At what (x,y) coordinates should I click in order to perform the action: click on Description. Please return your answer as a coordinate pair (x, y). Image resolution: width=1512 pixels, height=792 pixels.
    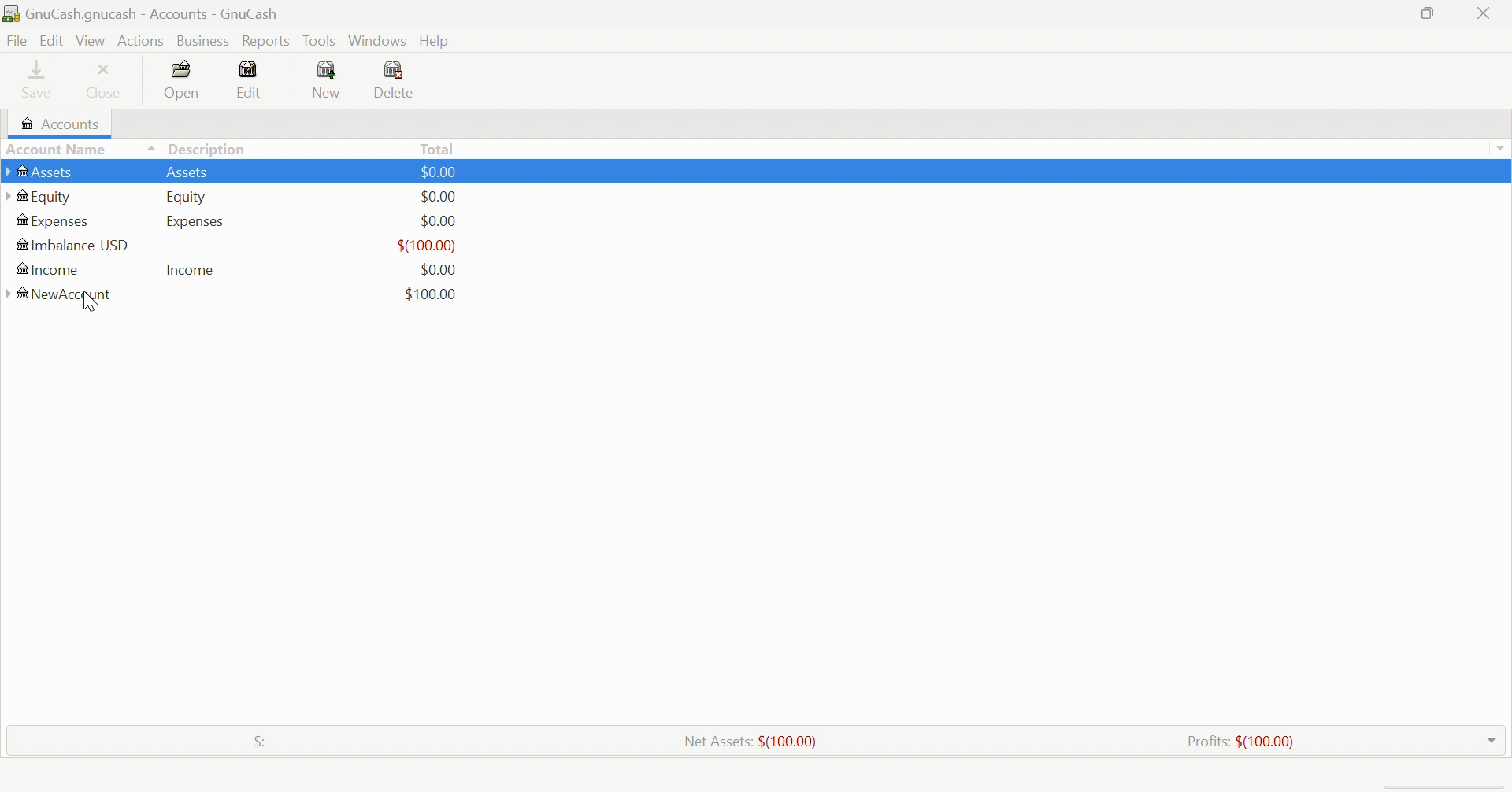
    Looking at the image, I should click on (210, 150).